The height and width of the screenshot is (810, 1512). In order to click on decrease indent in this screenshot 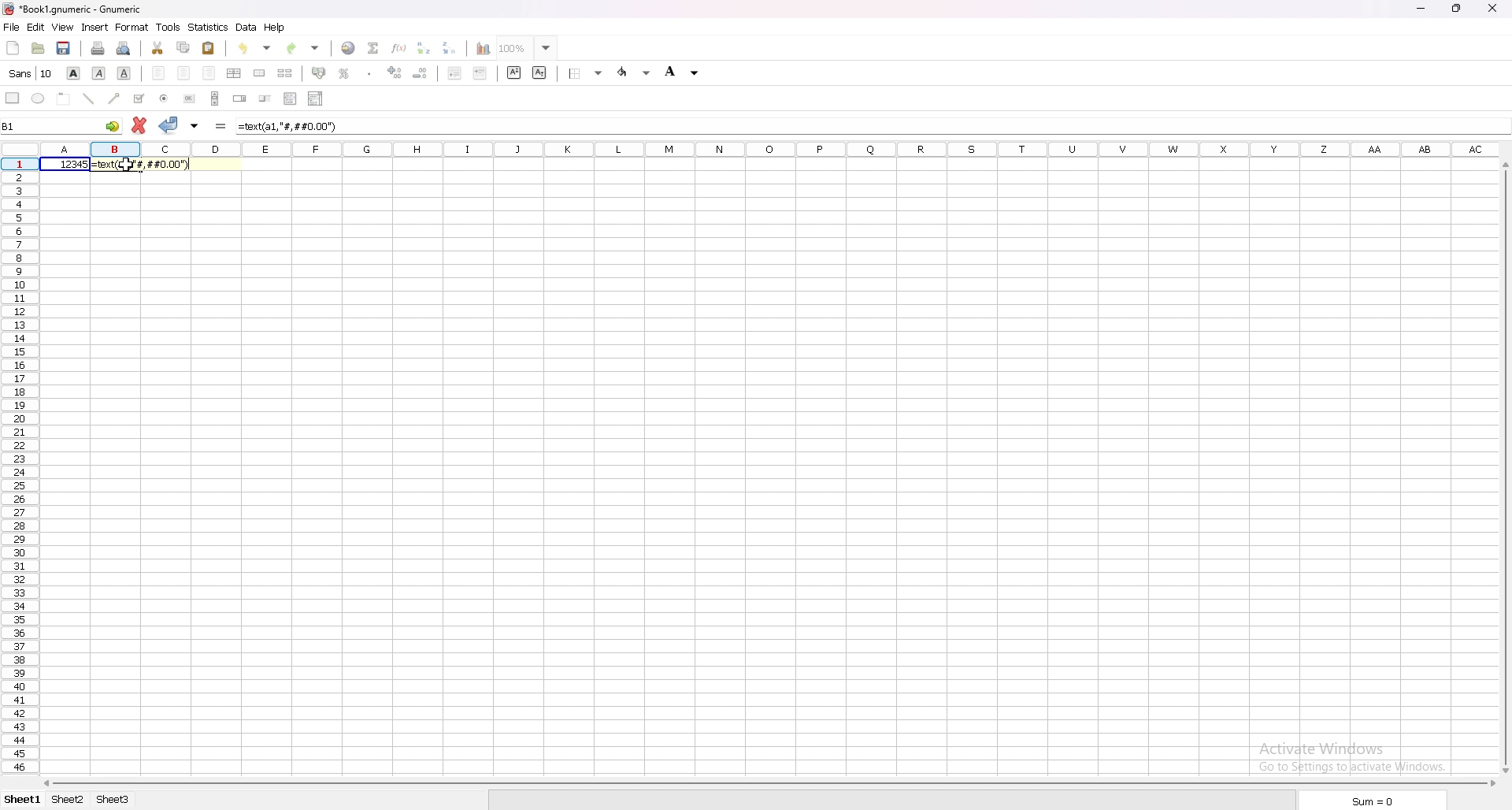, I will do `click(456, 72)`.